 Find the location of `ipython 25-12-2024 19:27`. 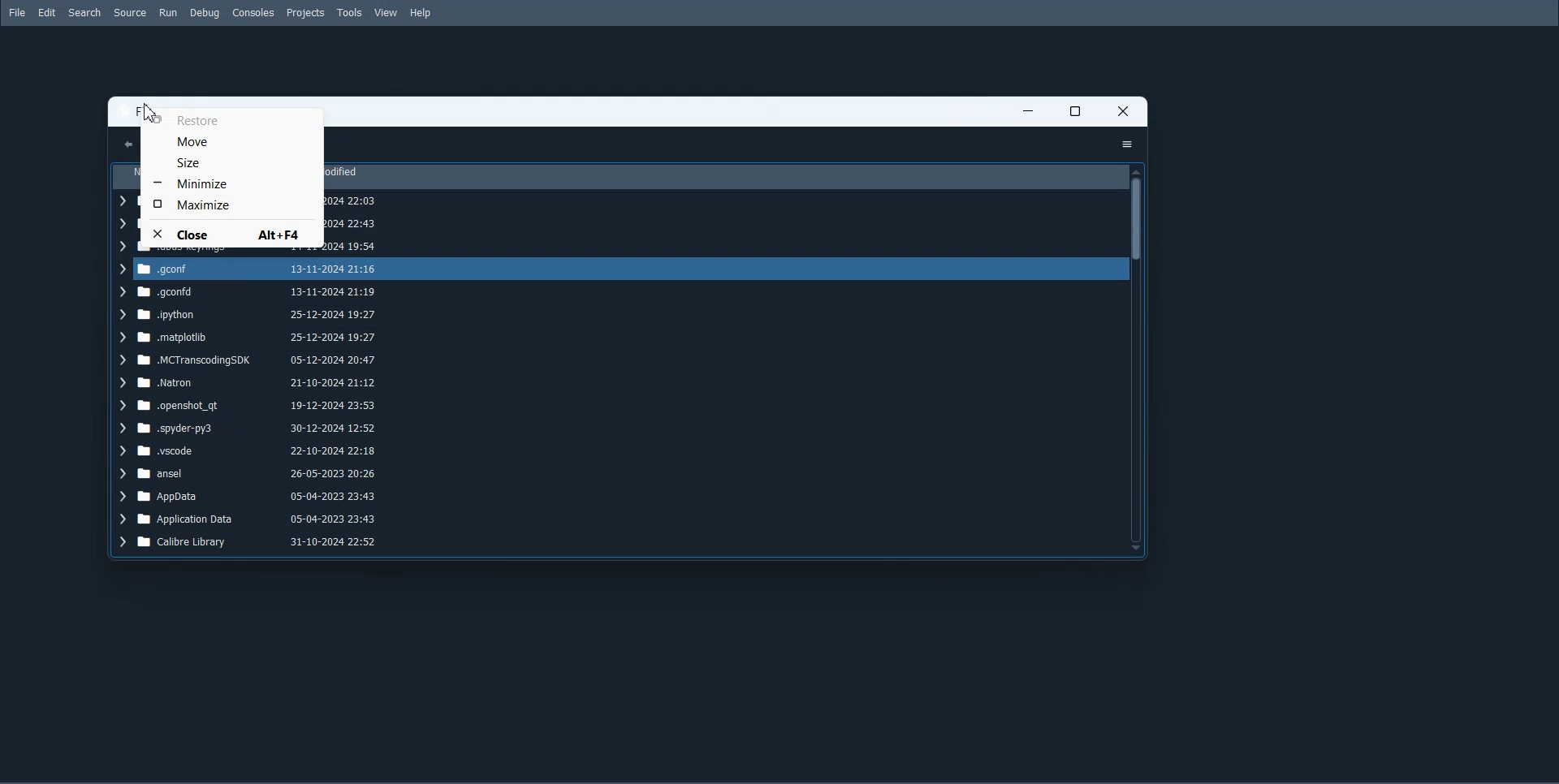

ipython 25-12-2024 19:27 is located at coordinates (246, 316).